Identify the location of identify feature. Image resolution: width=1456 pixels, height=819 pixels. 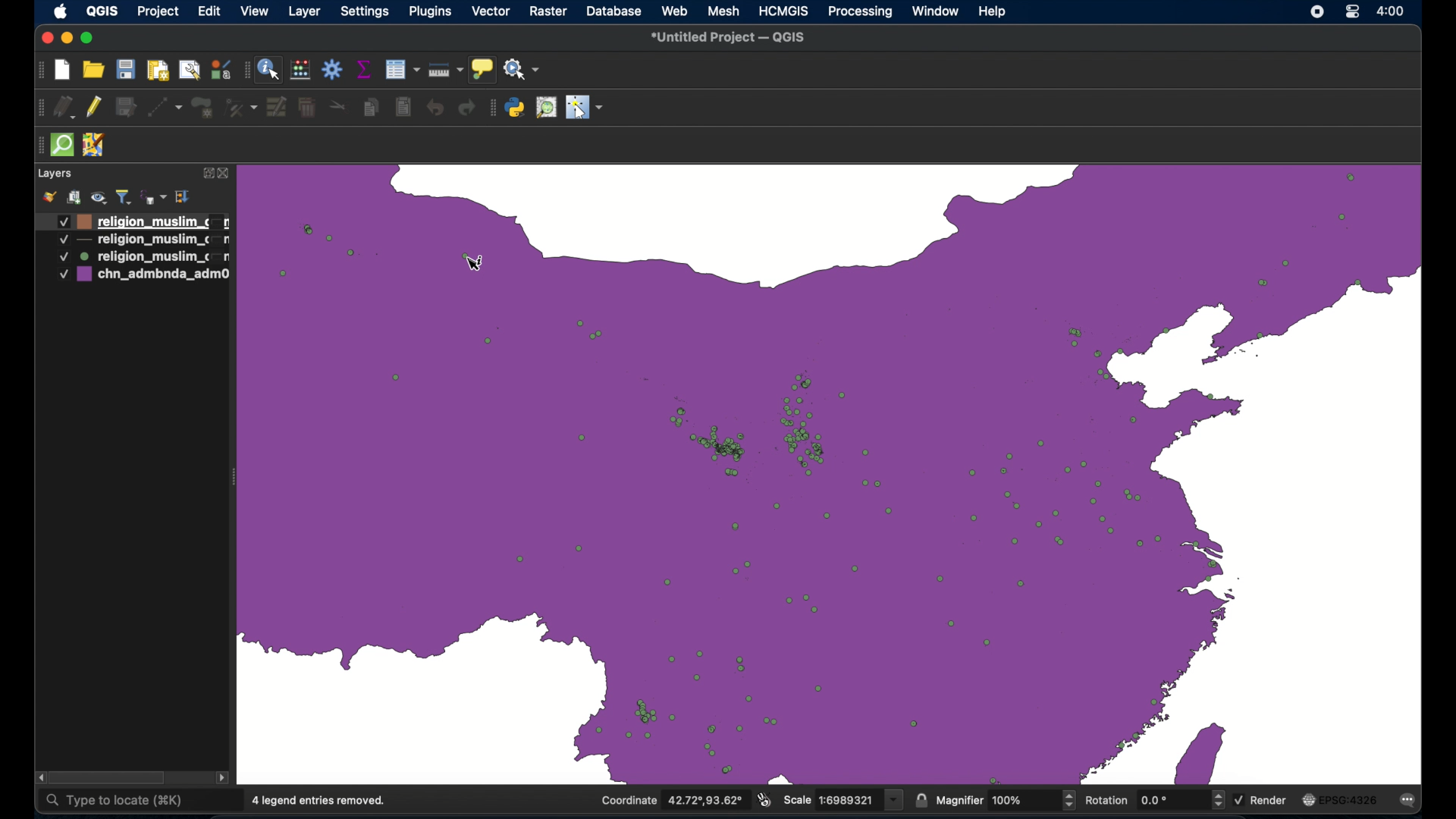
(269, 72).